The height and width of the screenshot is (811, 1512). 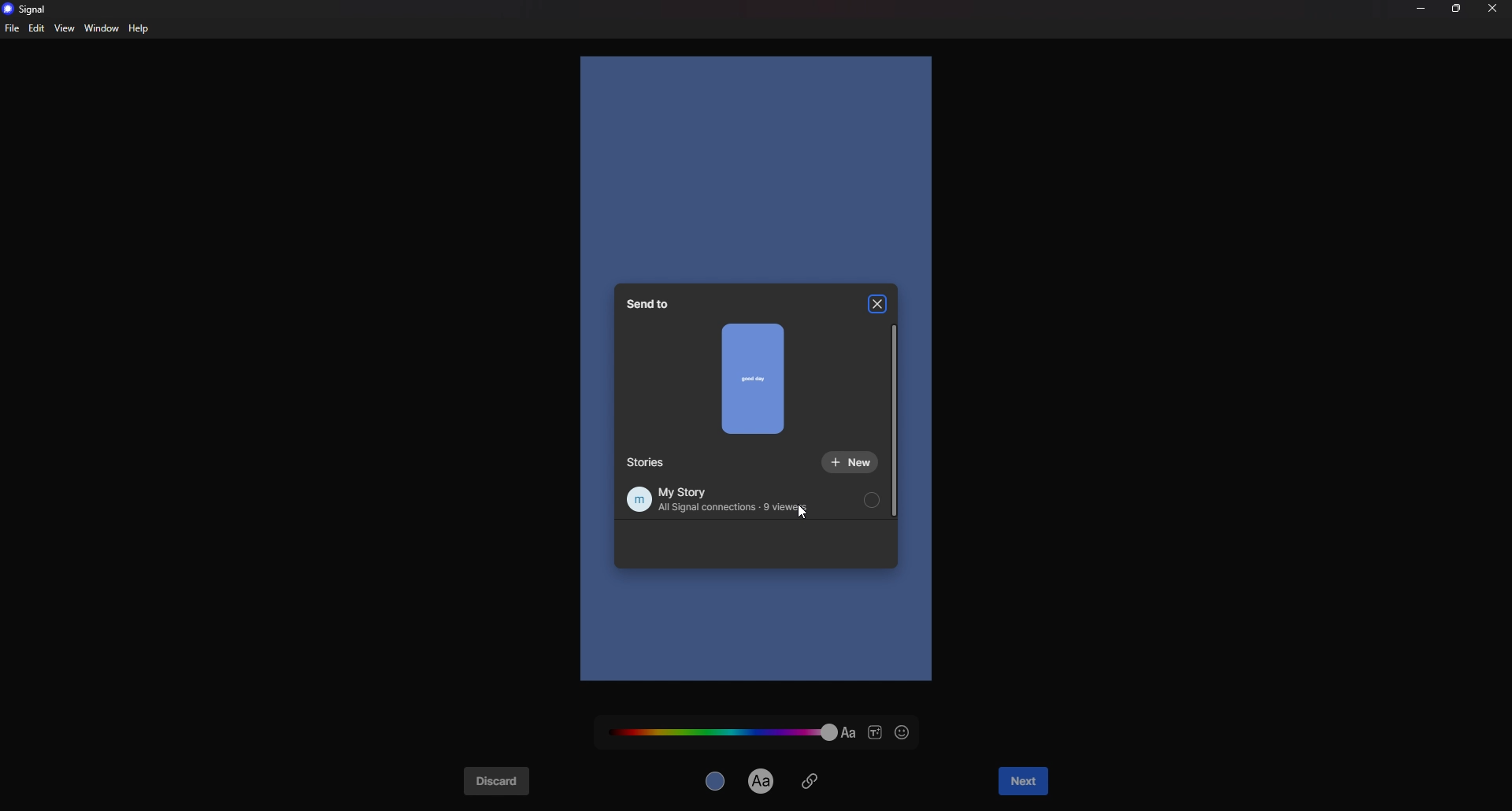 I want to click on text style, so click(x=876, y=733).